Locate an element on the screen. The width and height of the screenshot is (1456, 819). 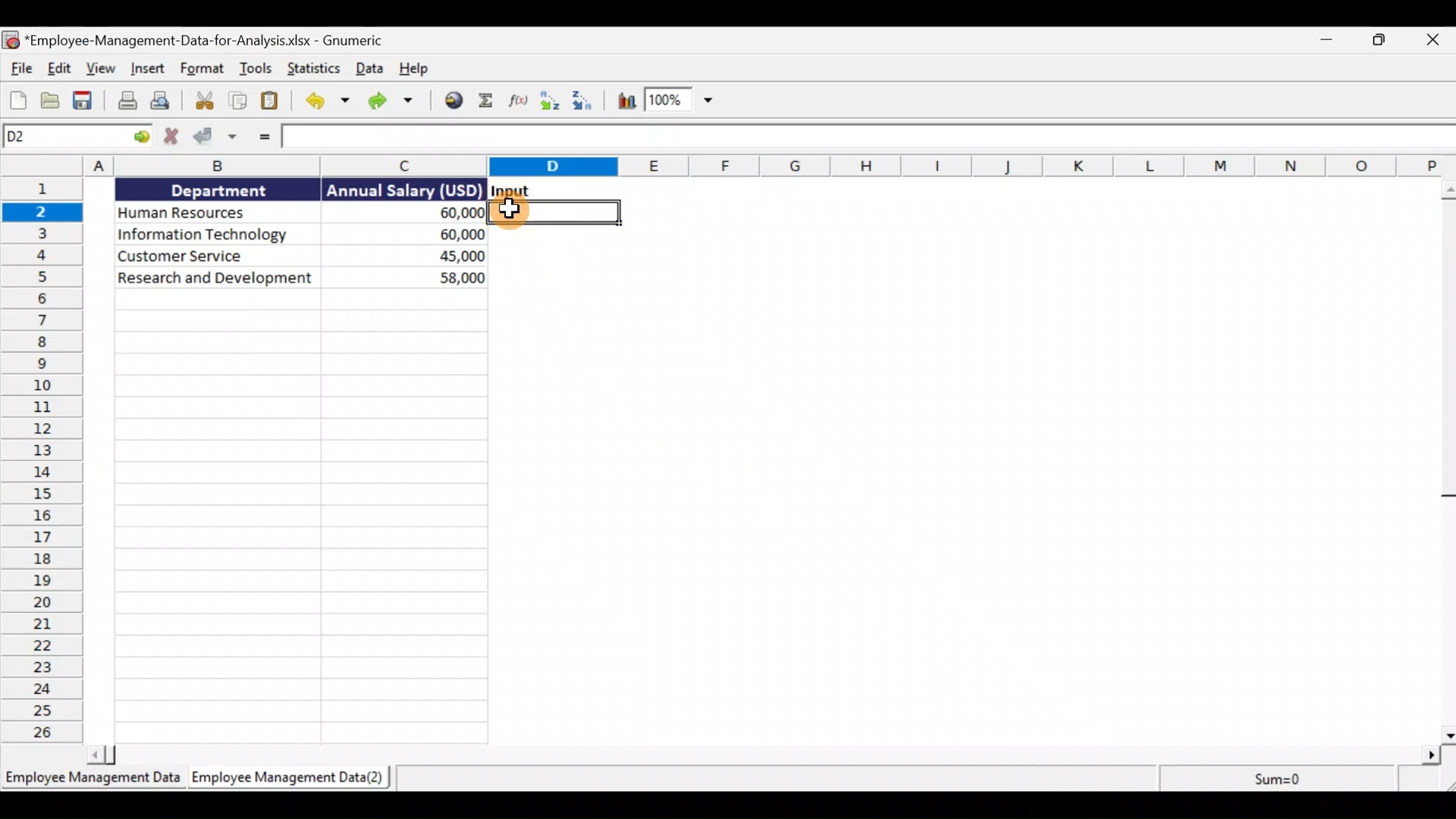
Sheet 1 is located at coordinates (90, 777).